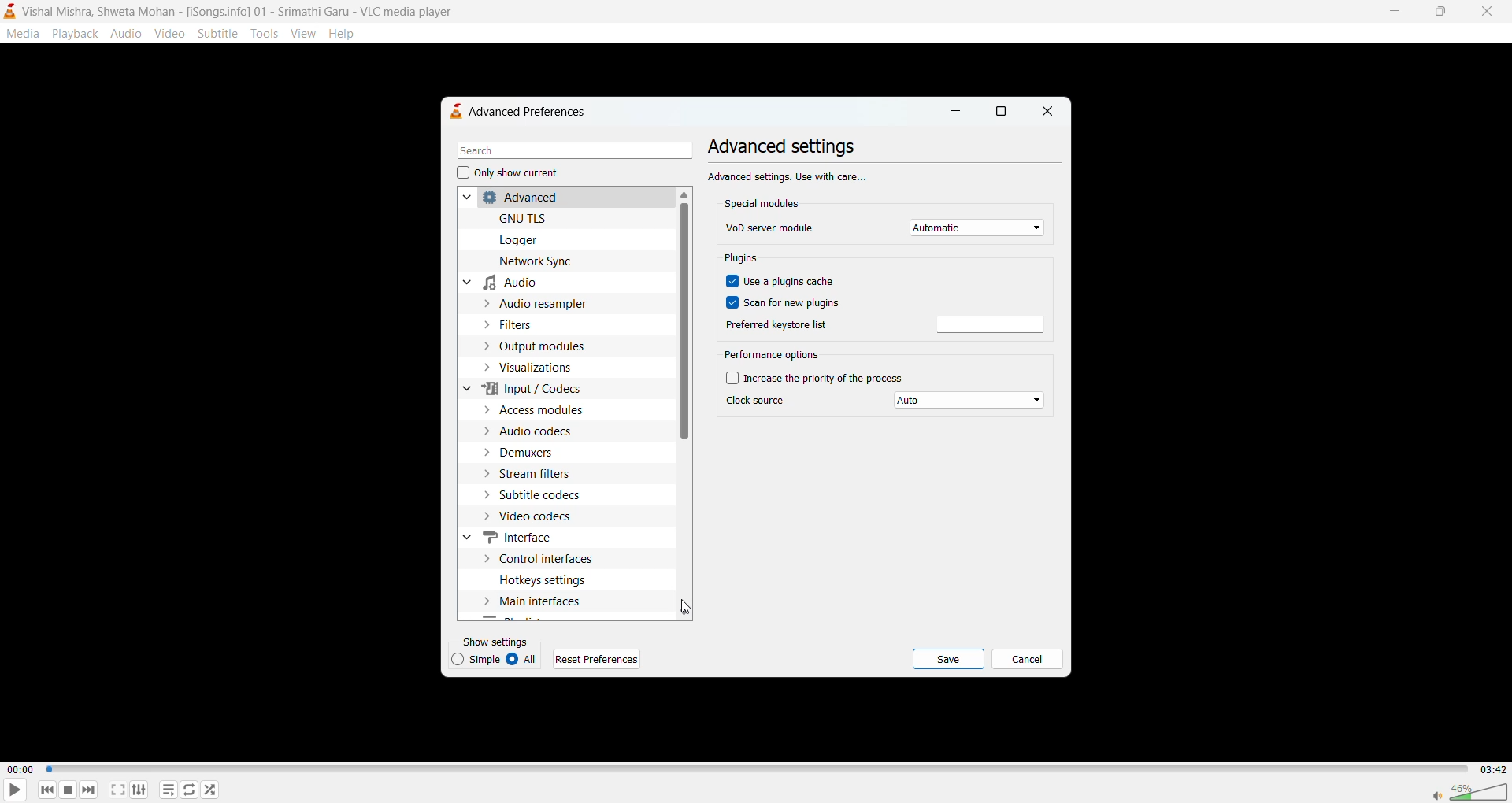 The height and width of the screenshot is (803, 1512). Describe the element at coordinates (478, 659) in the screenshot. I see `simple` at that location.